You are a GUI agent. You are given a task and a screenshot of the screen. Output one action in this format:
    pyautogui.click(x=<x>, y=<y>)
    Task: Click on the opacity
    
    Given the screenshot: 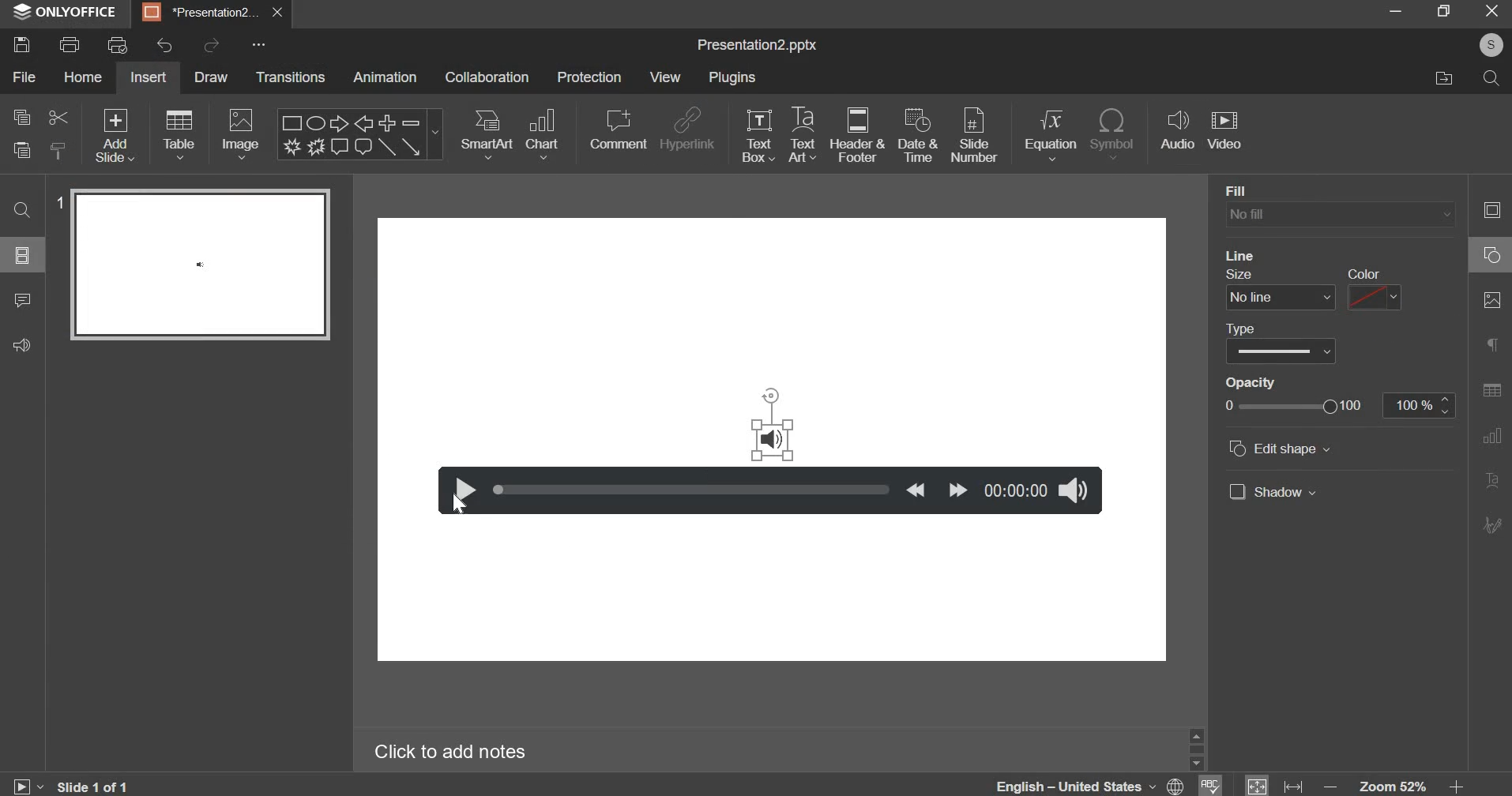 What is the action you would take?
    pyautogui.click(x=1251, y=383)
    